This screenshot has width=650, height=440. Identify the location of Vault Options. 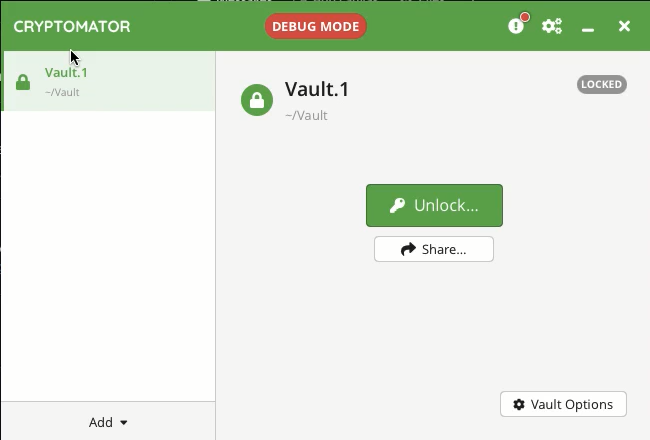
(561, 404).